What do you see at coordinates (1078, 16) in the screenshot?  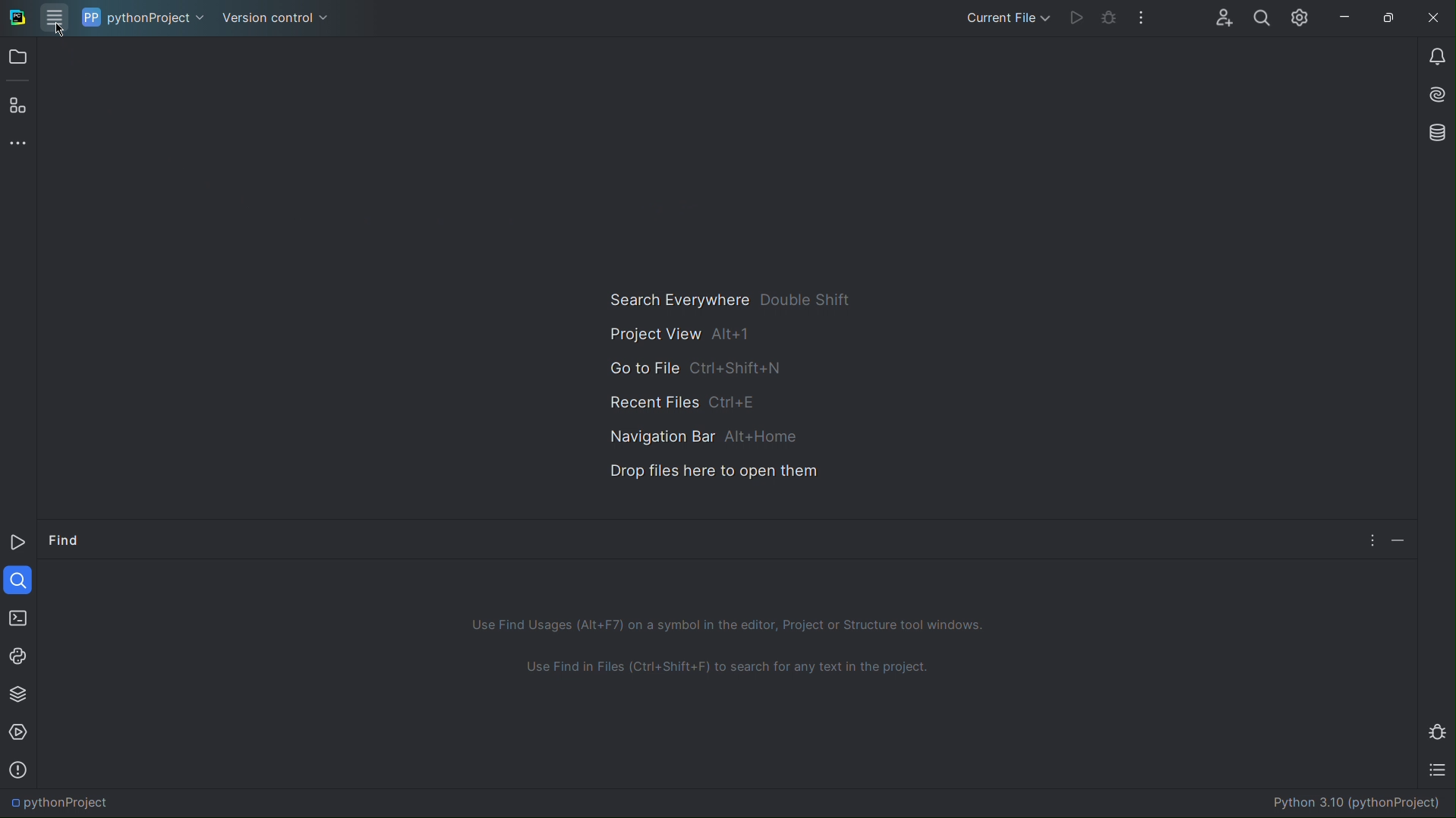 I see `Run` at bounding box center [1078, 16].